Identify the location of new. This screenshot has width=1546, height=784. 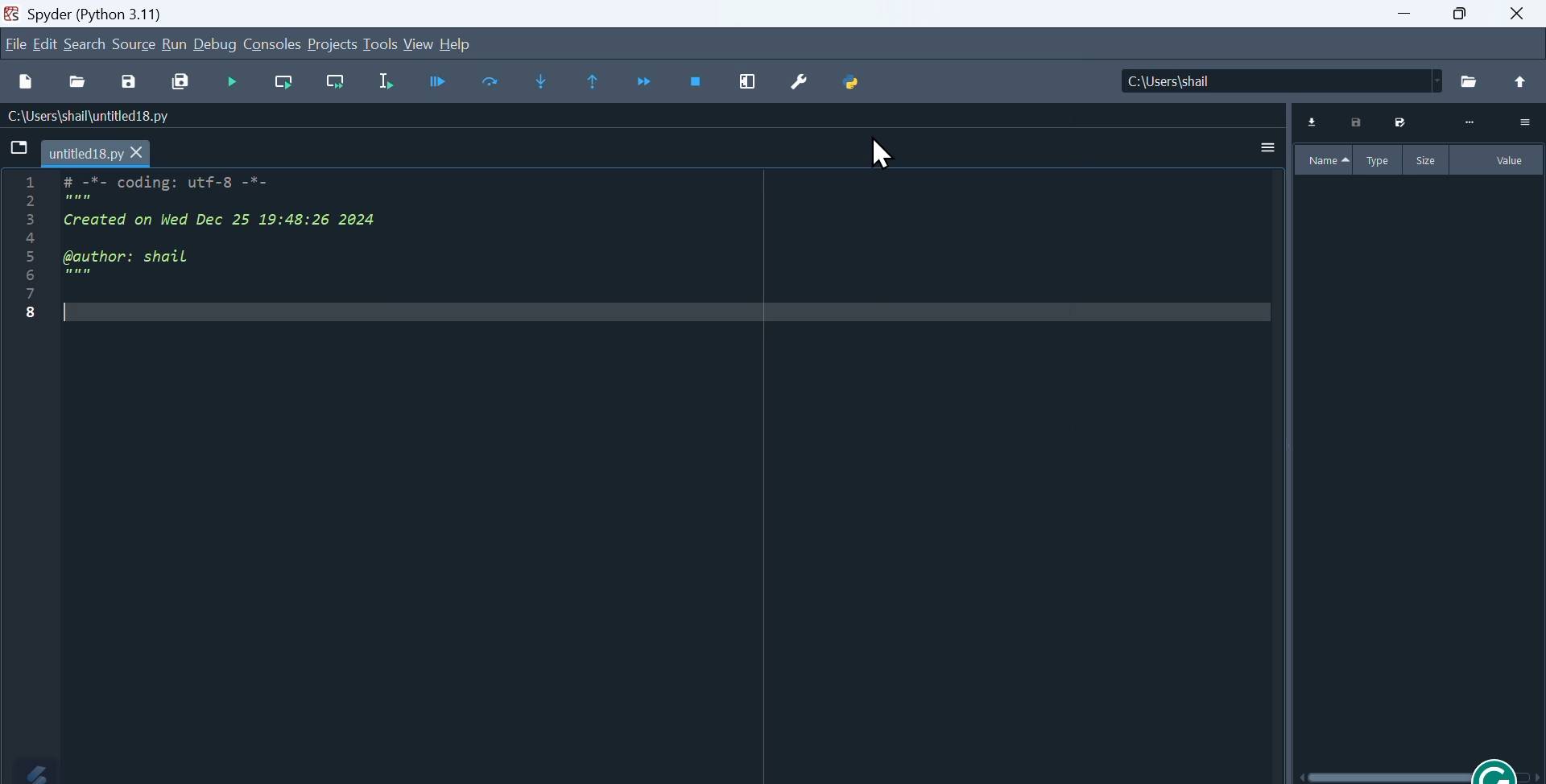
(23, 81).